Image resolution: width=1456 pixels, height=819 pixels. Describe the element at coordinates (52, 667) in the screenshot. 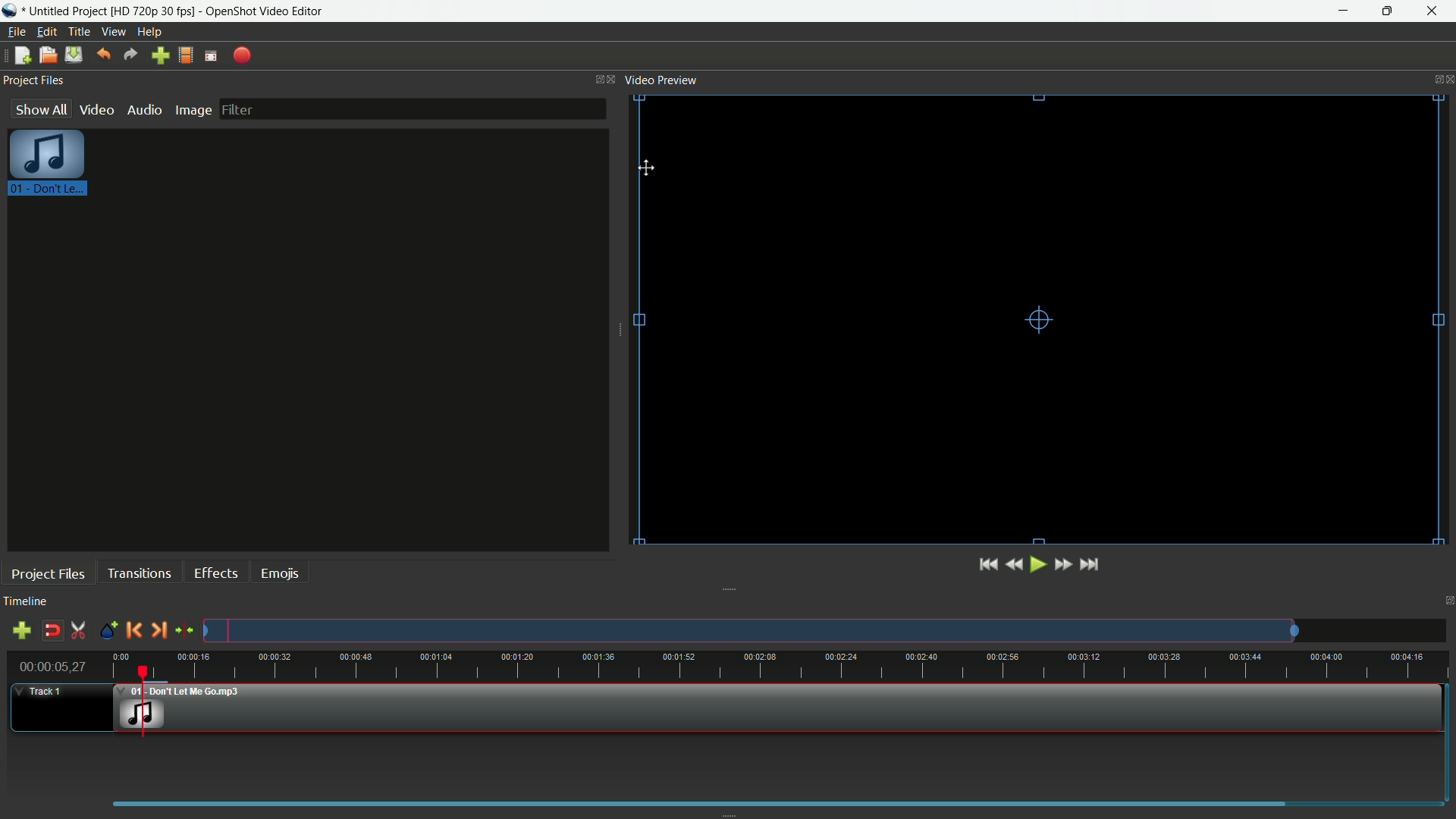

I see `current time` at that location.